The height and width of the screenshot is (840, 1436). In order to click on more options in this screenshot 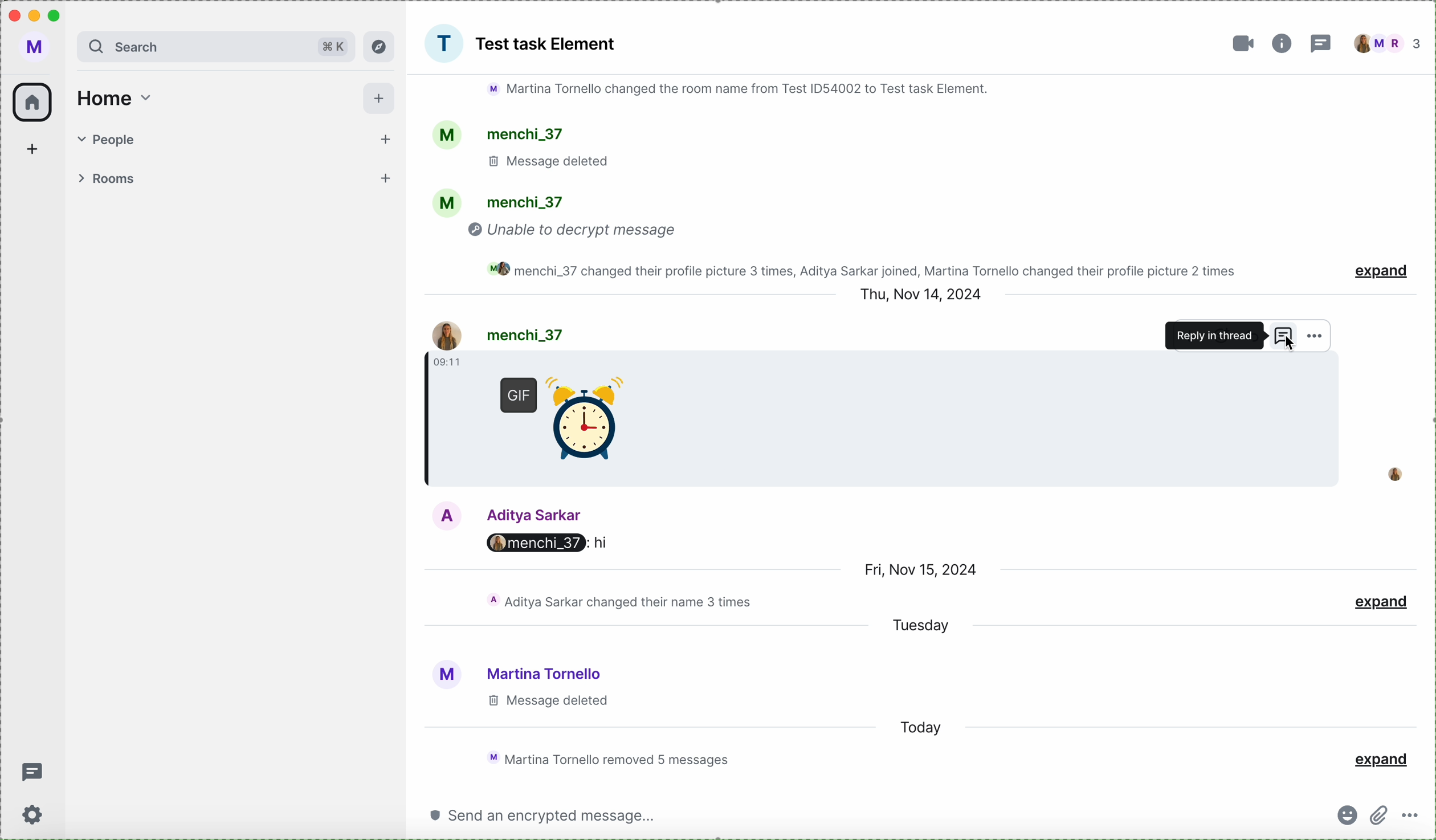, I will do `click(1414, 815)`.